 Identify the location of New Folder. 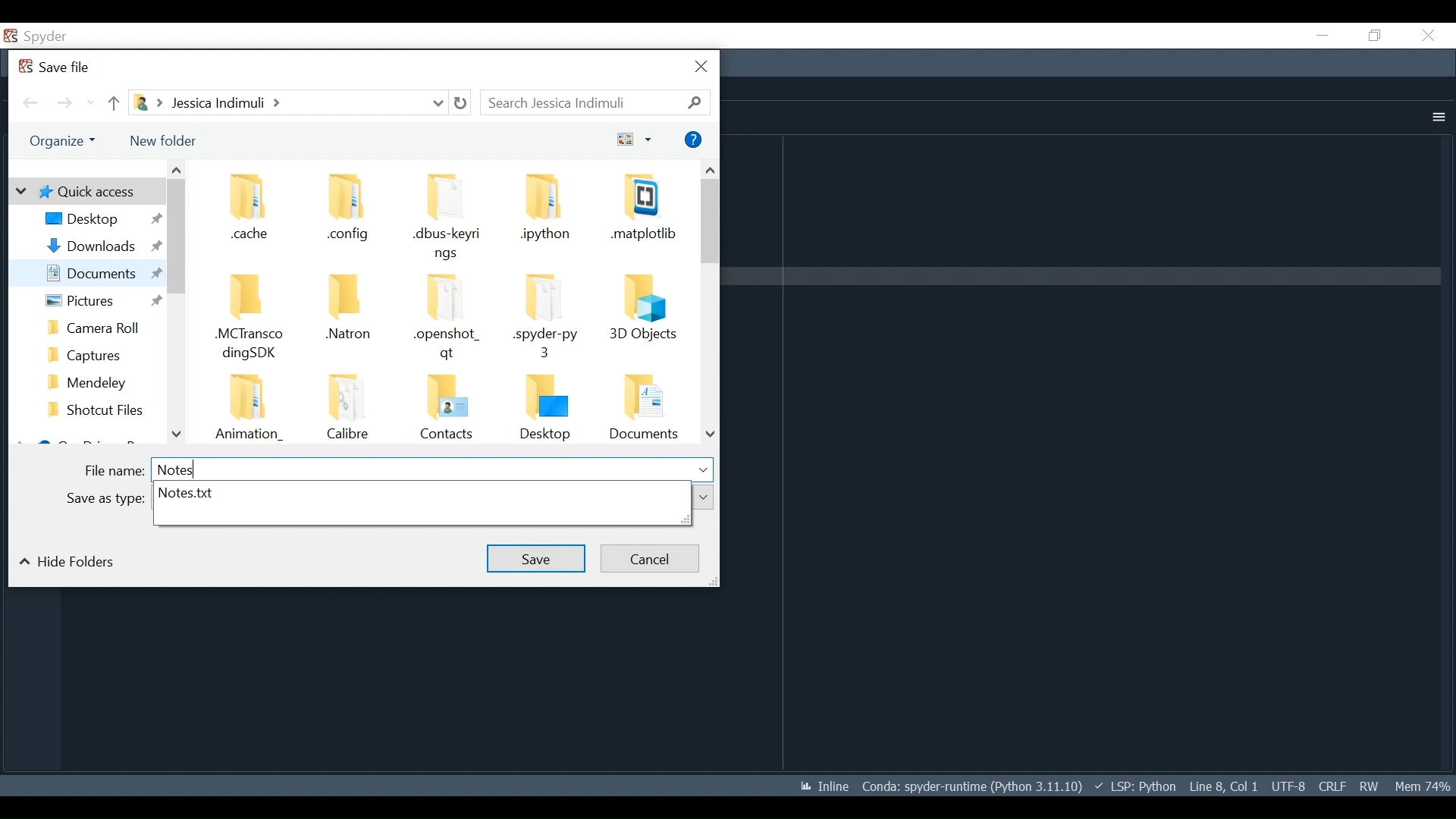
(167, 140).